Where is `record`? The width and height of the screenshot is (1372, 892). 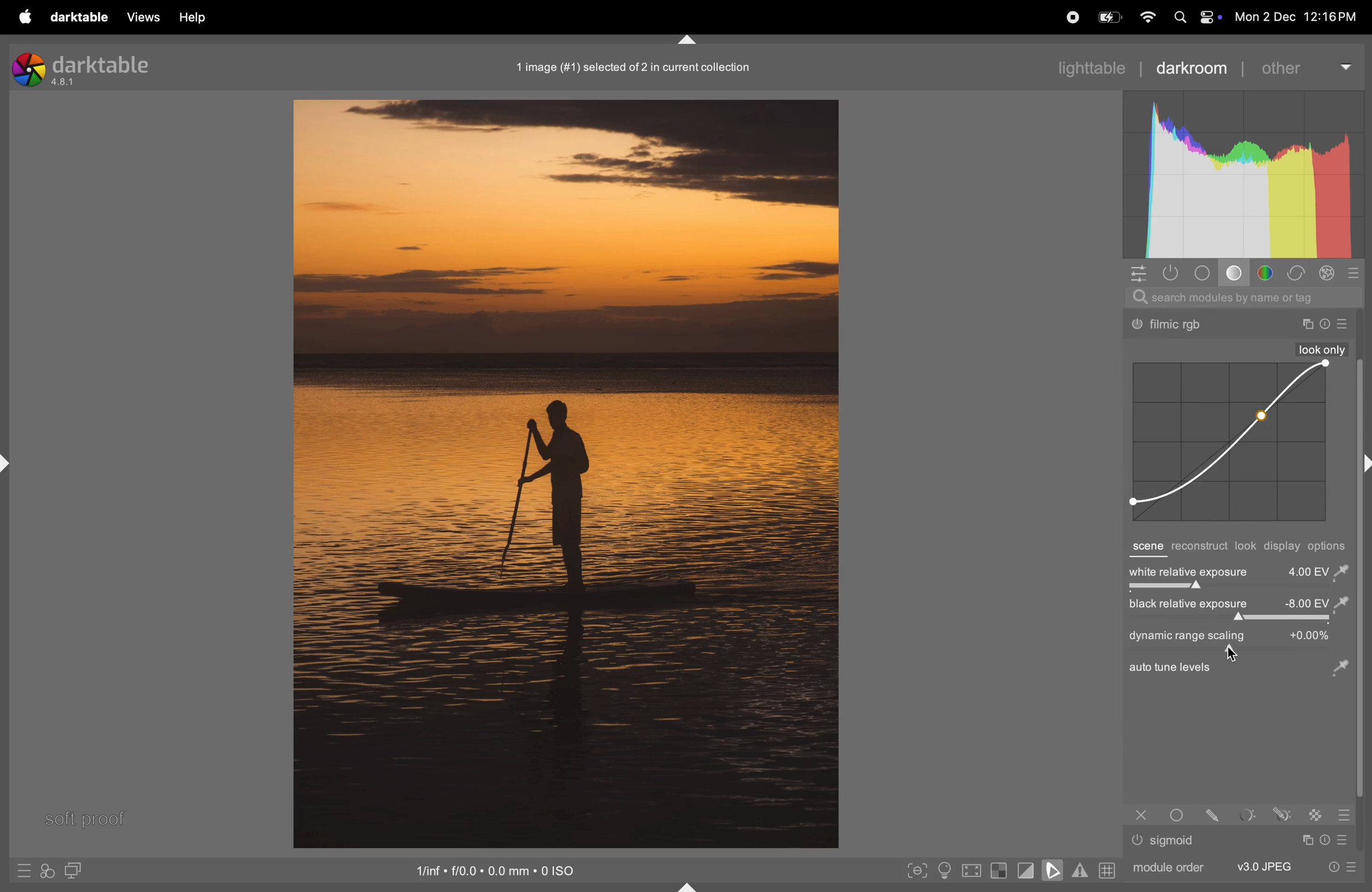
record is located at coordinates (1069, 16).